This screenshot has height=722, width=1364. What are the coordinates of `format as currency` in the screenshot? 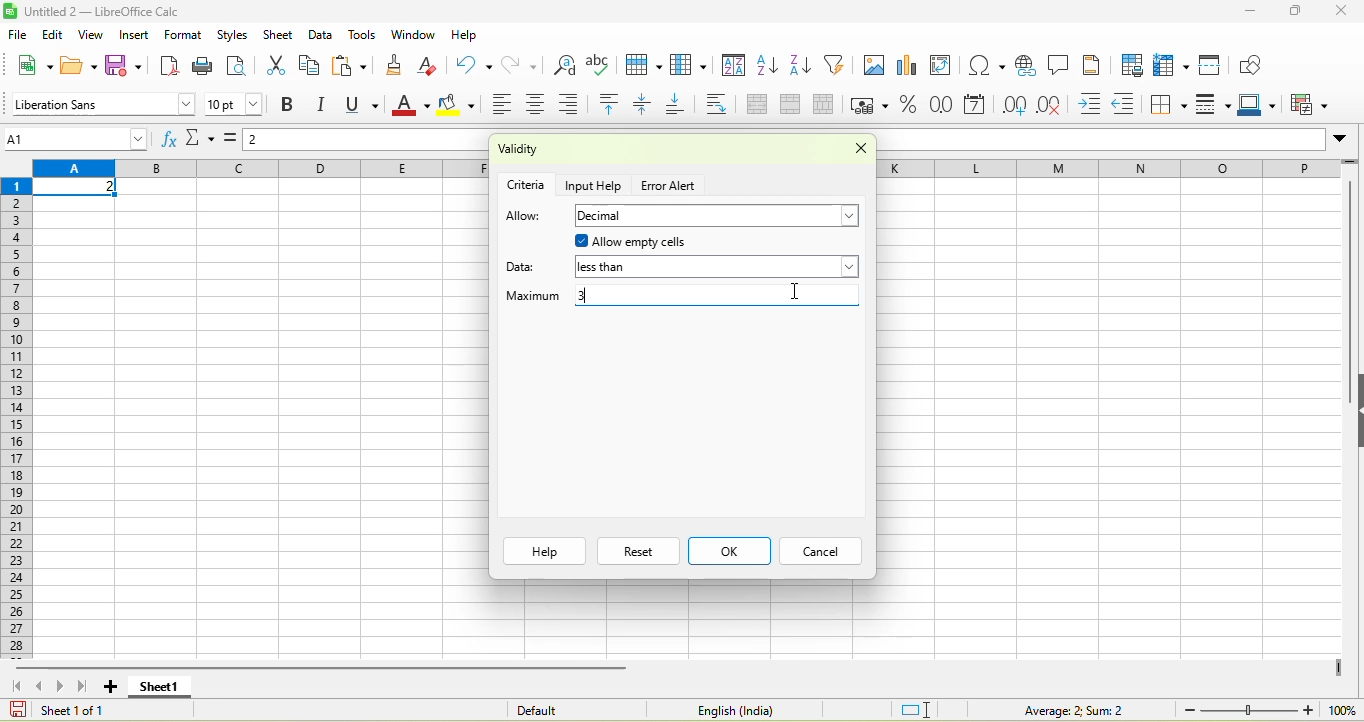 It's located at (871, 105).